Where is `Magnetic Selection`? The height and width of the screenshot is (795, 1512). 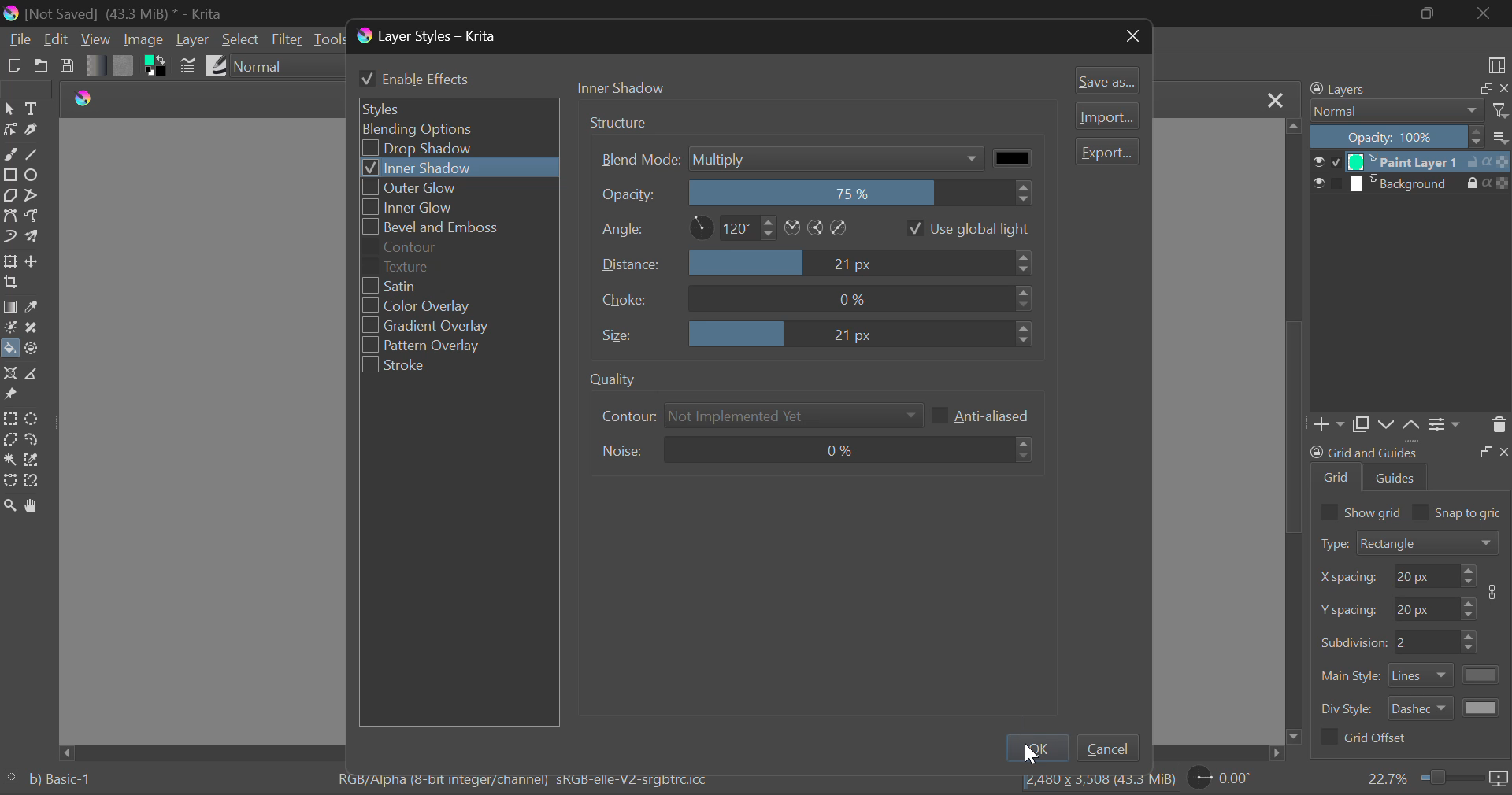 Magnetic Selection is located at coordinates (35, 480).